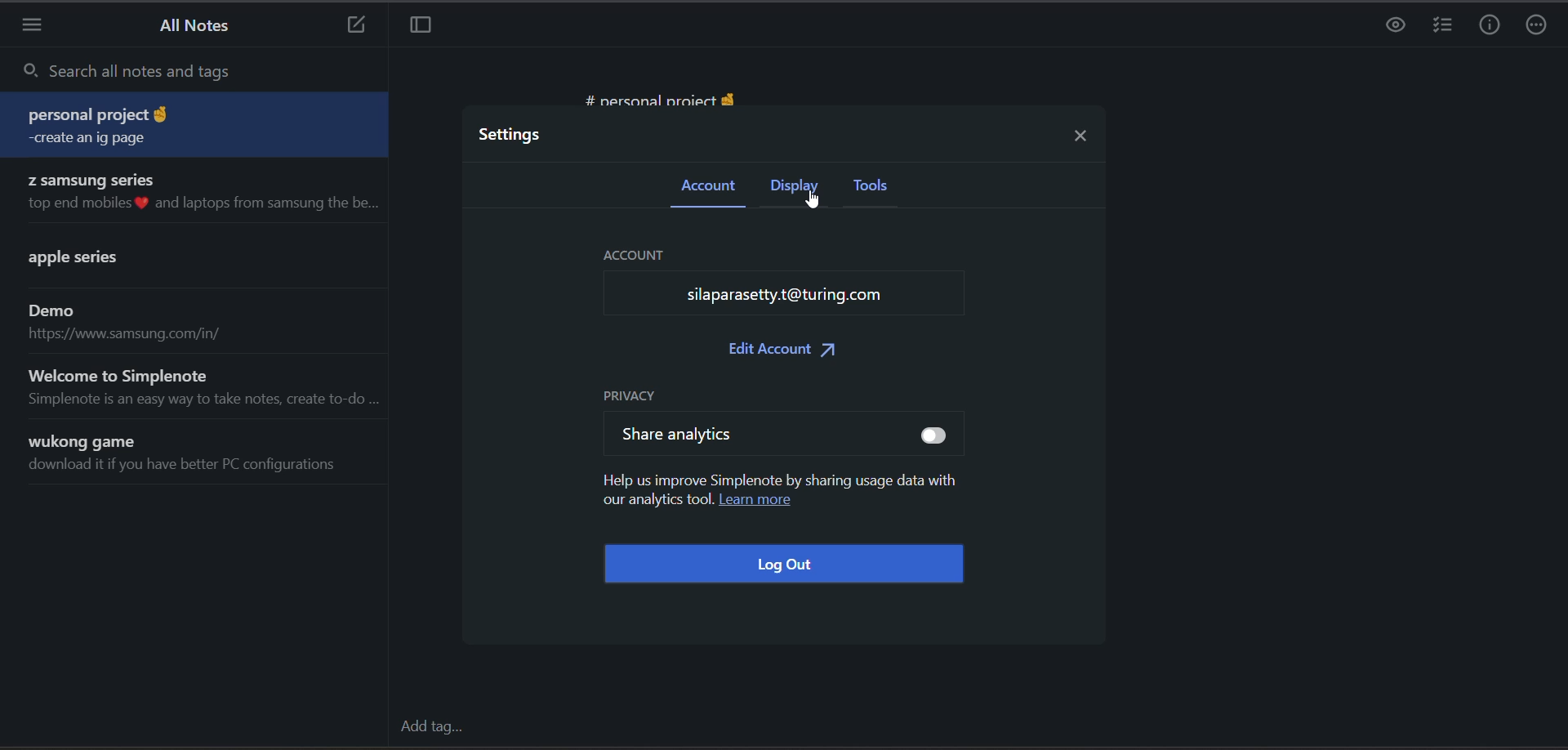 This screenshot has height=750, width=1568. I want to click on tools, so click(891, 191).